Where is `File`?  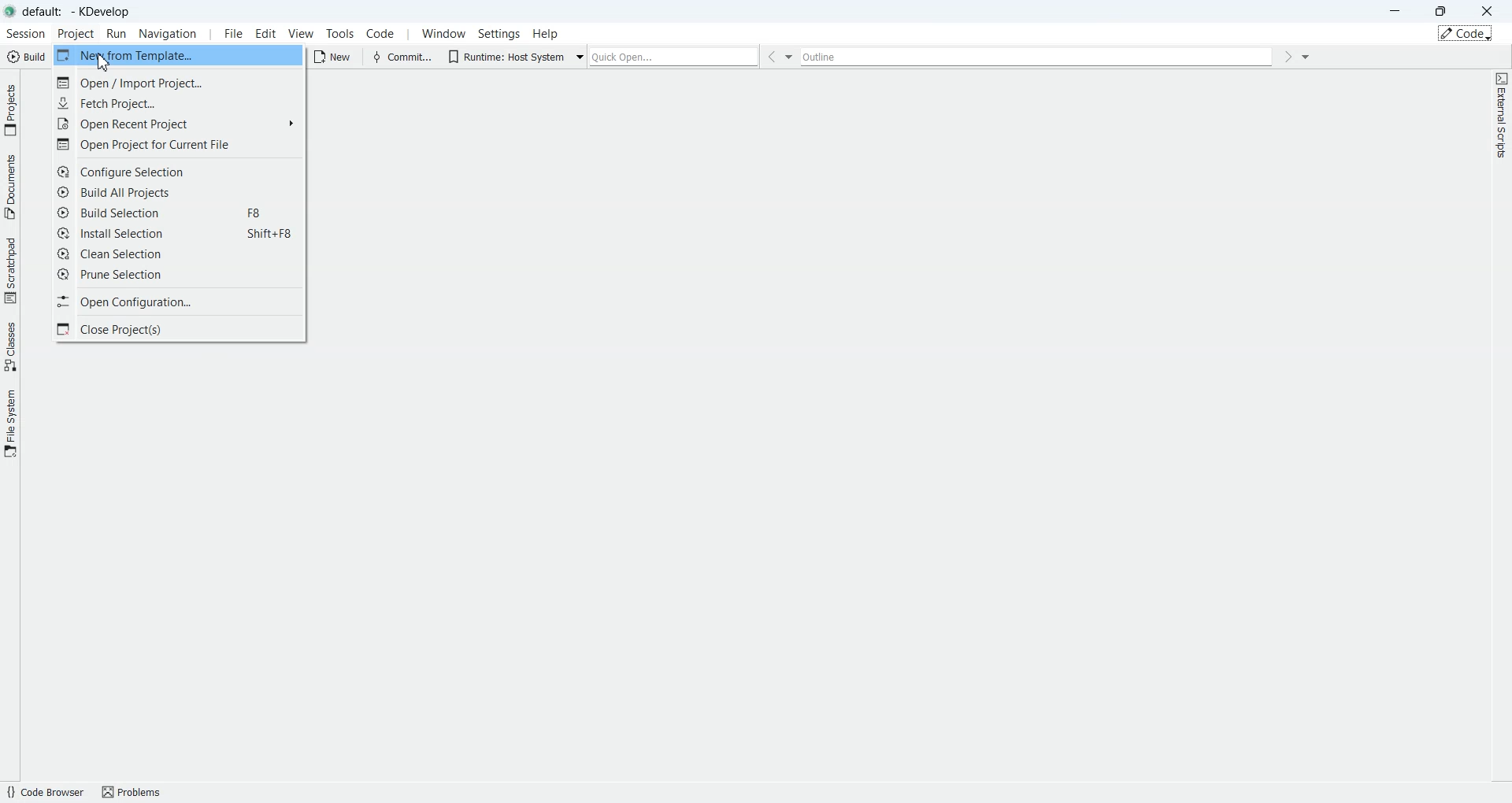
File is located at coordinates (231, 34).